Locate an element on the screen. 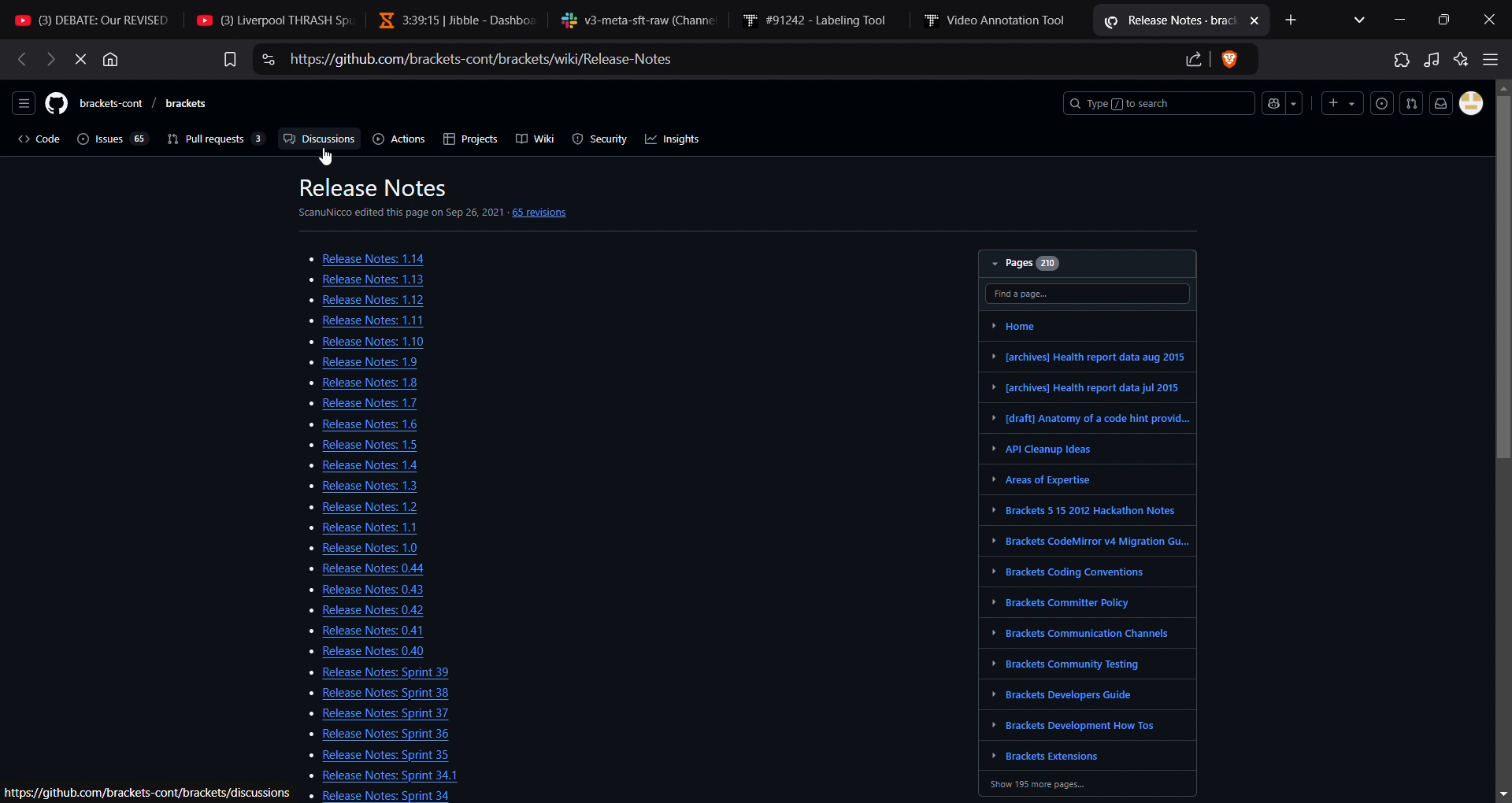 The width and height of the screenshot is (1512, 803). | » Brackets Coding Conventions. is located at coordinates (1067, 571).